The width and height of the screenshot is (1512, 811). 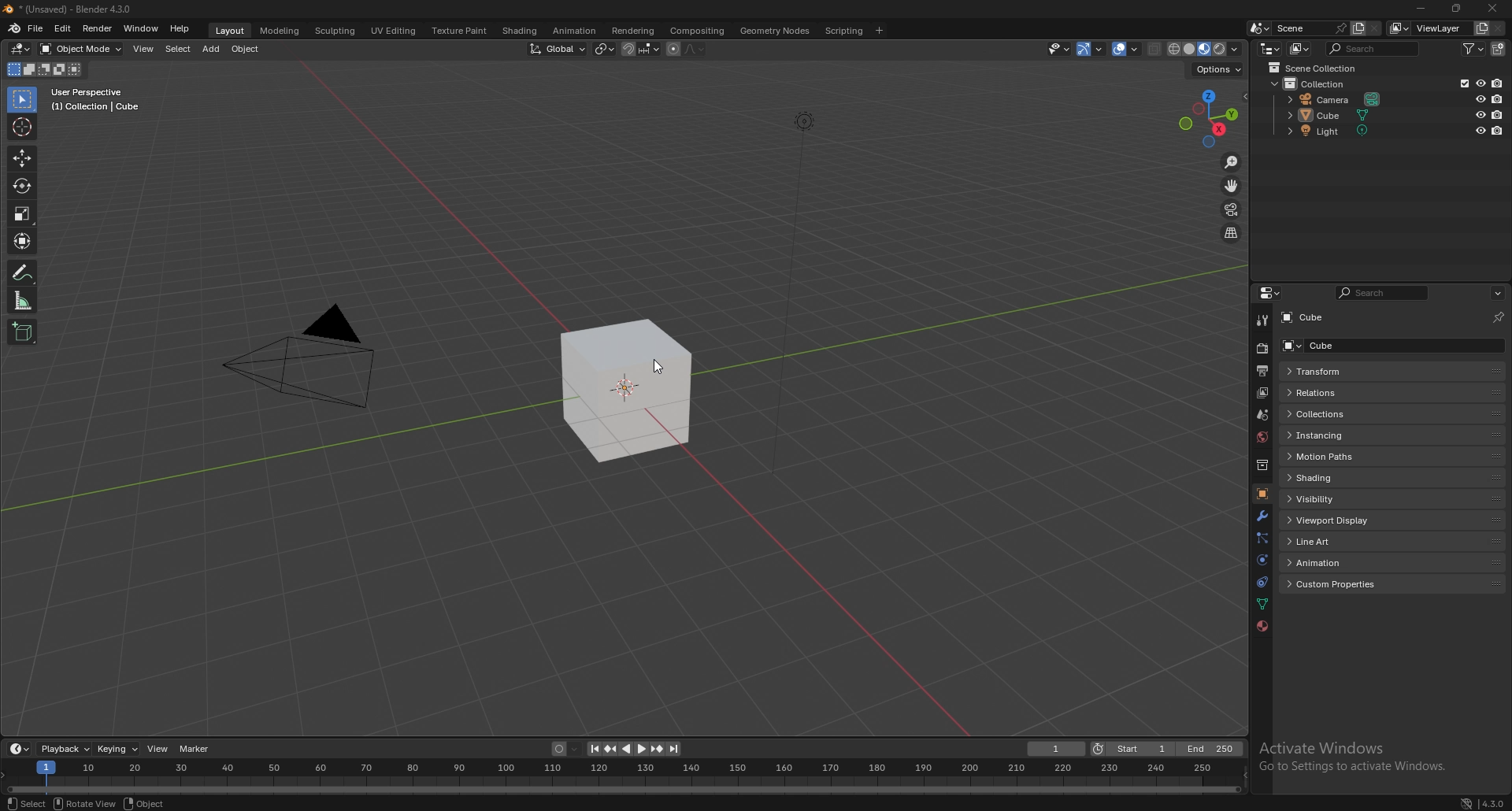 What do you see at coordinates (1268, 293) in the screenshot?
I see `editor type` at bounding box center [1268, 293].